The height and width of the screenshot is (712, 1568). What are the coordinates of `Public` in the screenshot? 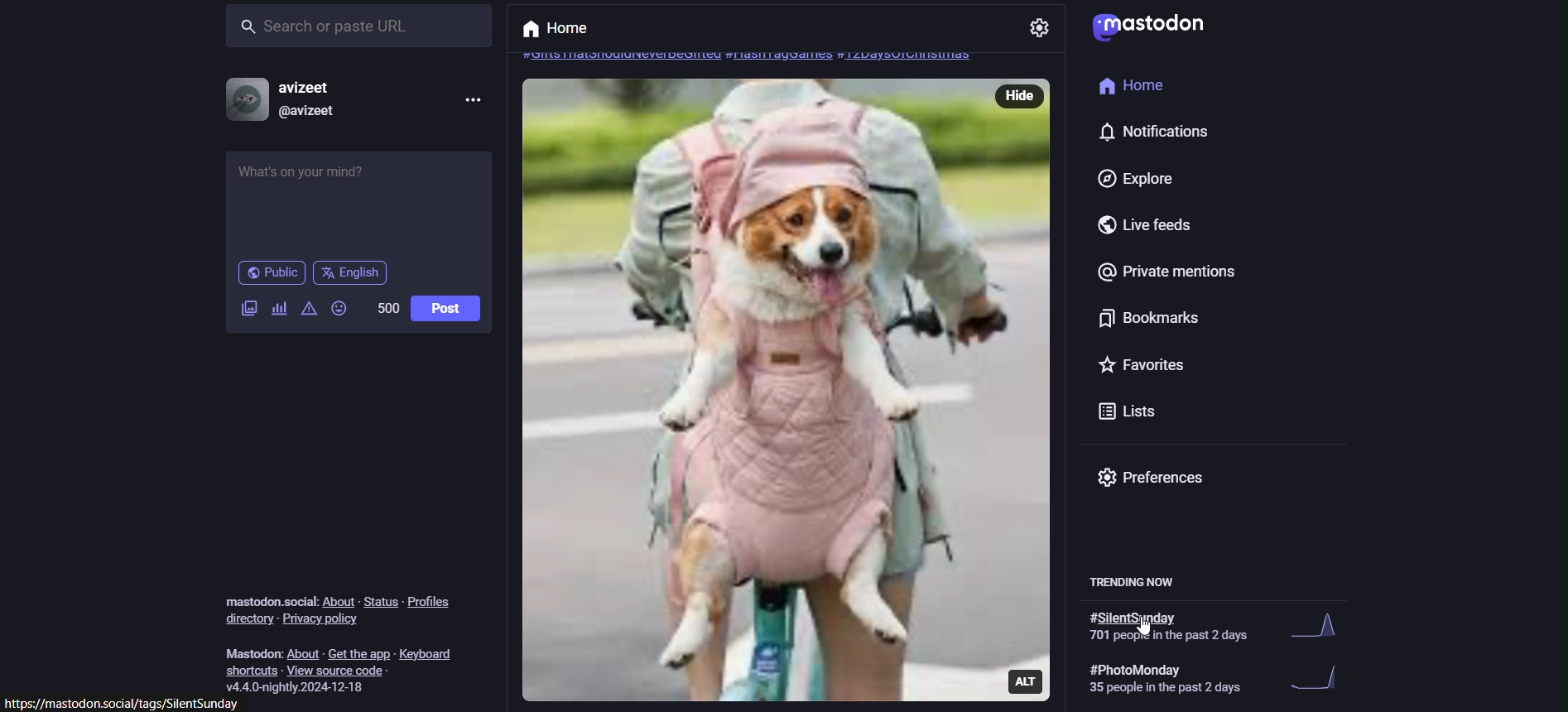 It's located at (270, 273).